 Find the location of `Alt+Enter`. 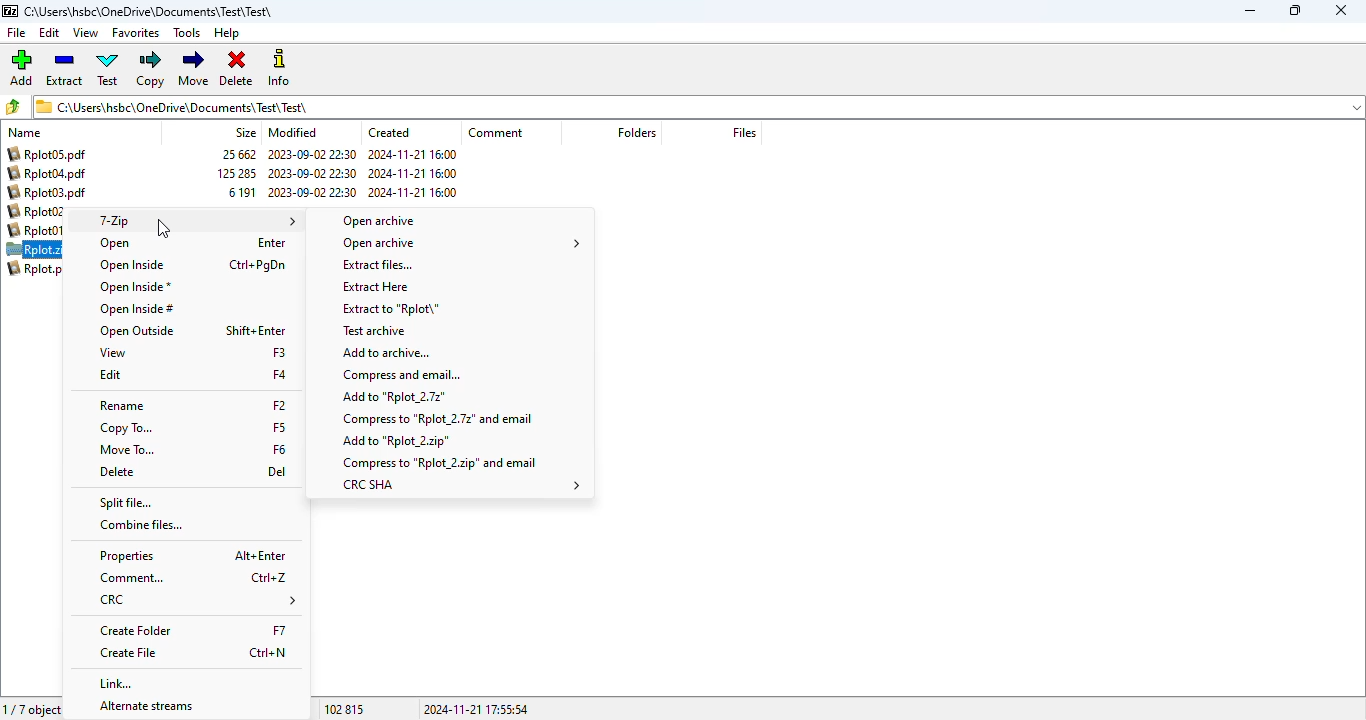

Alt+Enter is located at coordinates (259, 554).